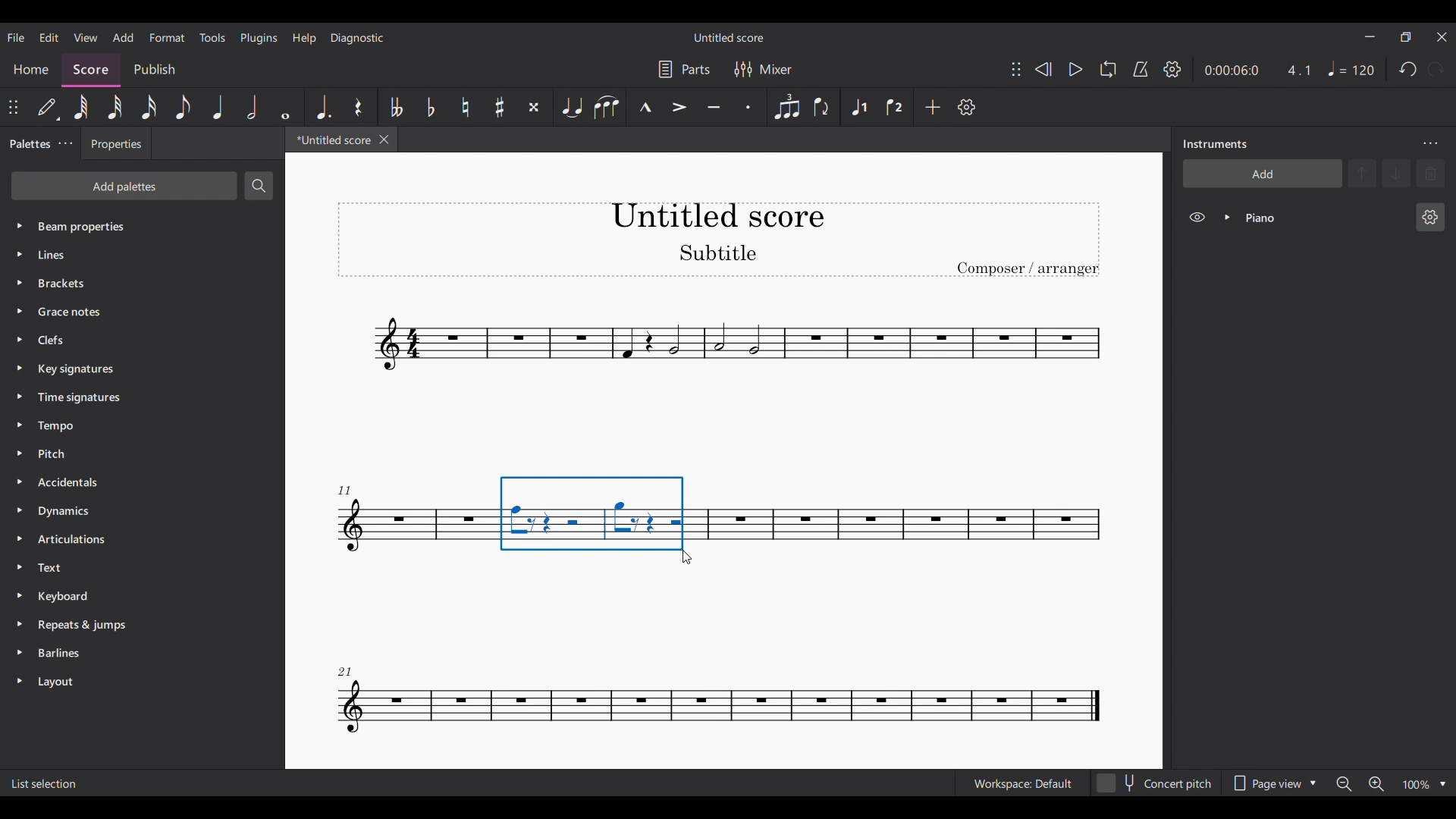 The height and width of the screenshot is (819, 1456). What do you see at coordinates (1430, 174) in the screenshot?
I see `Delete` at bounding box center [1430, 174].